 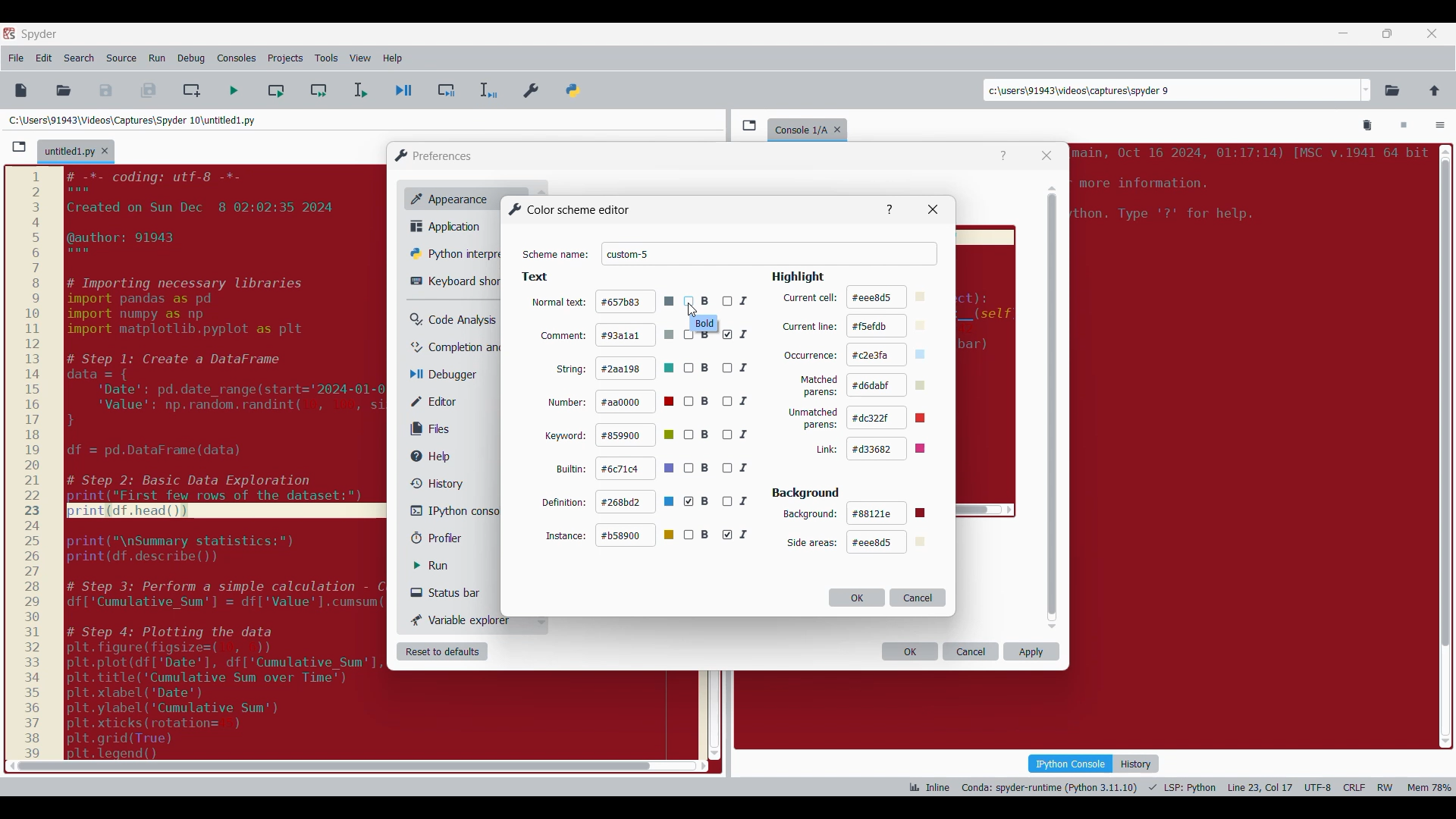 I want to click on File location, so click(x=132, y=120).